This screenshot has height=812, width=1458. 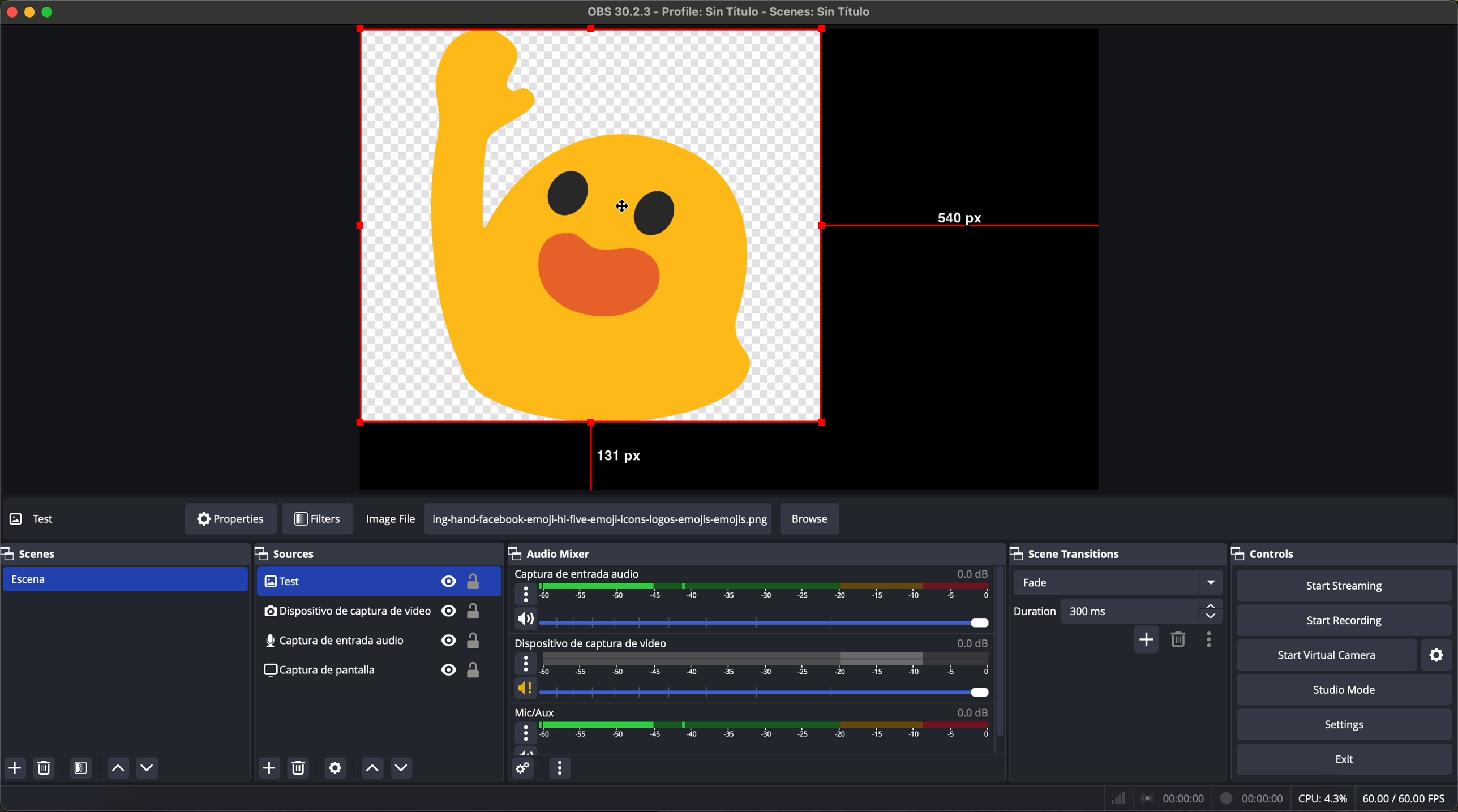 What do you see at coordinates (300, 555) in the screenshot?
I see `sources` at bounding box center [300, 555].